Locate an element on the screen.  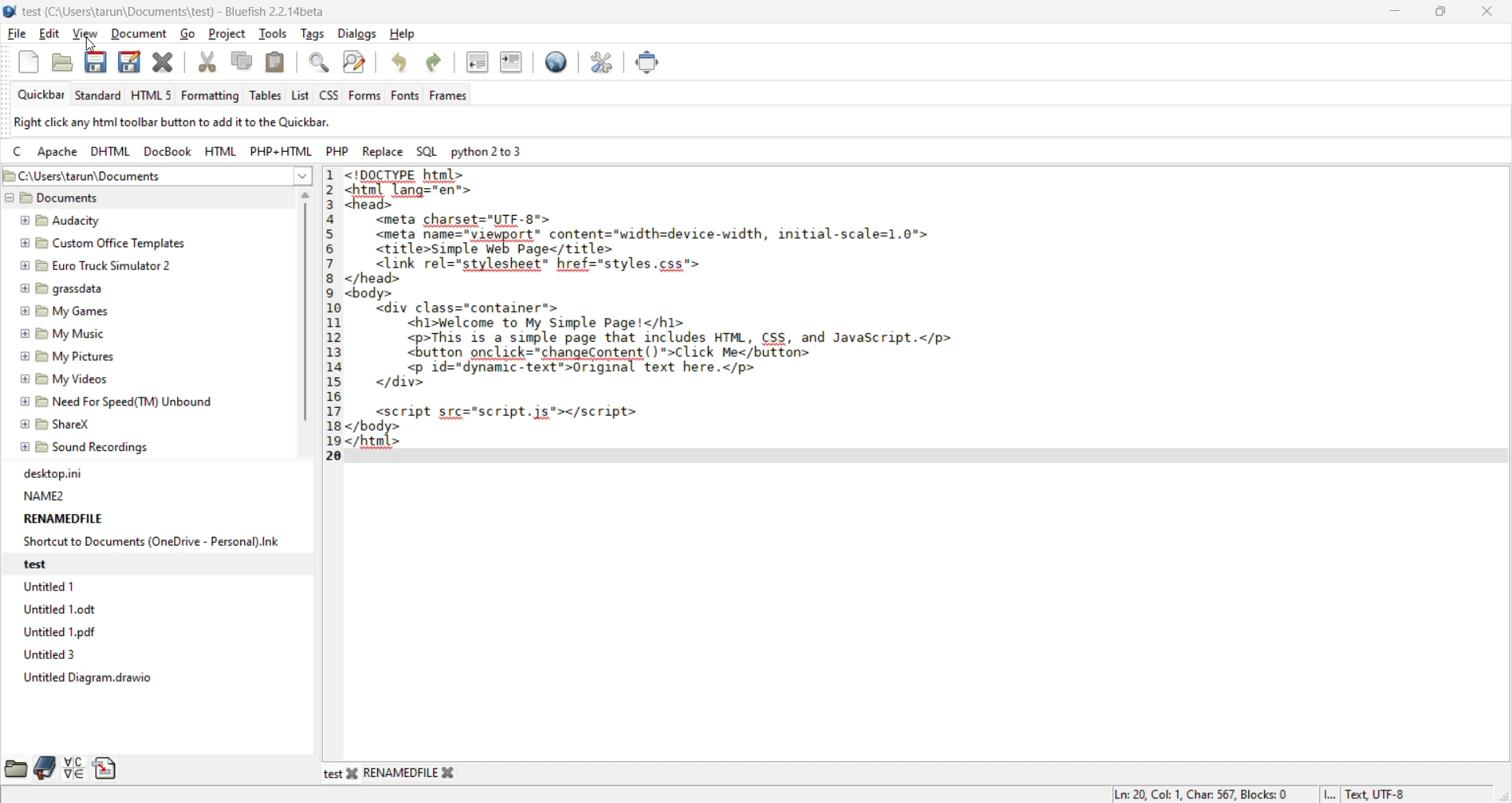
dialogs is located at coordinates (357, 33).